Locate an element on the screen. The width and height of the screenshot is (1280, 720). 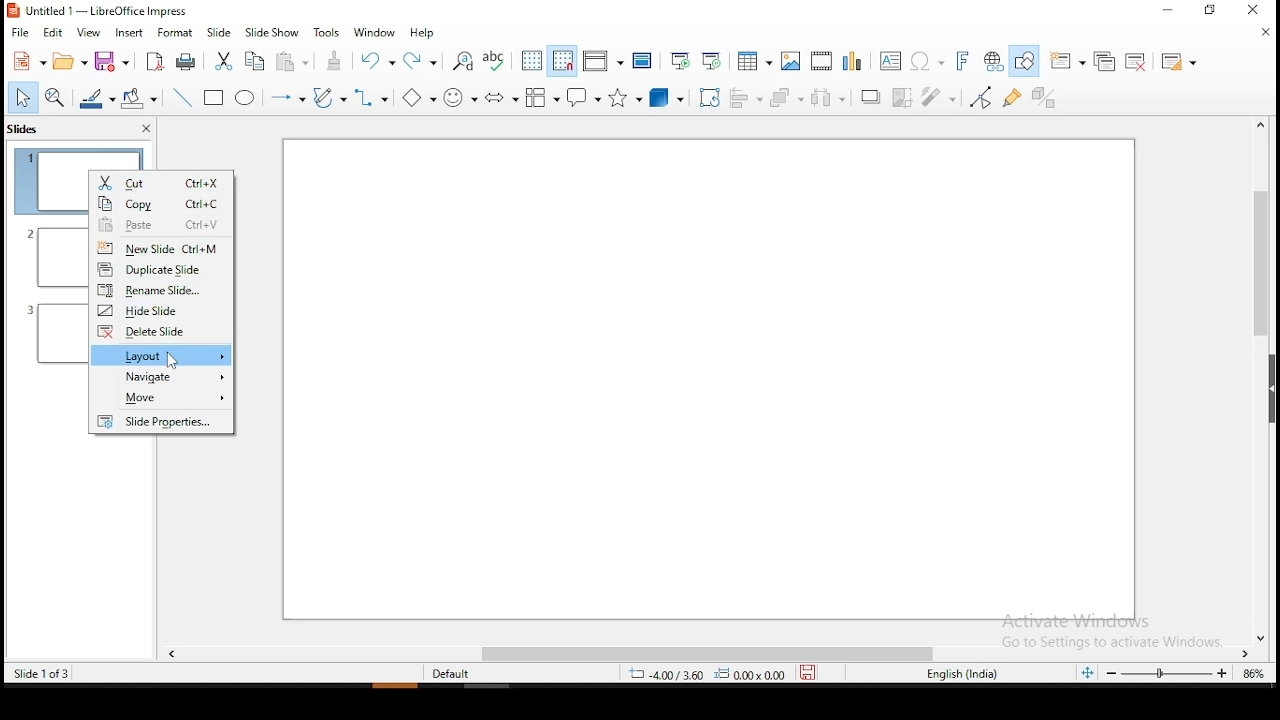
open is located at coordinates (70, 59).